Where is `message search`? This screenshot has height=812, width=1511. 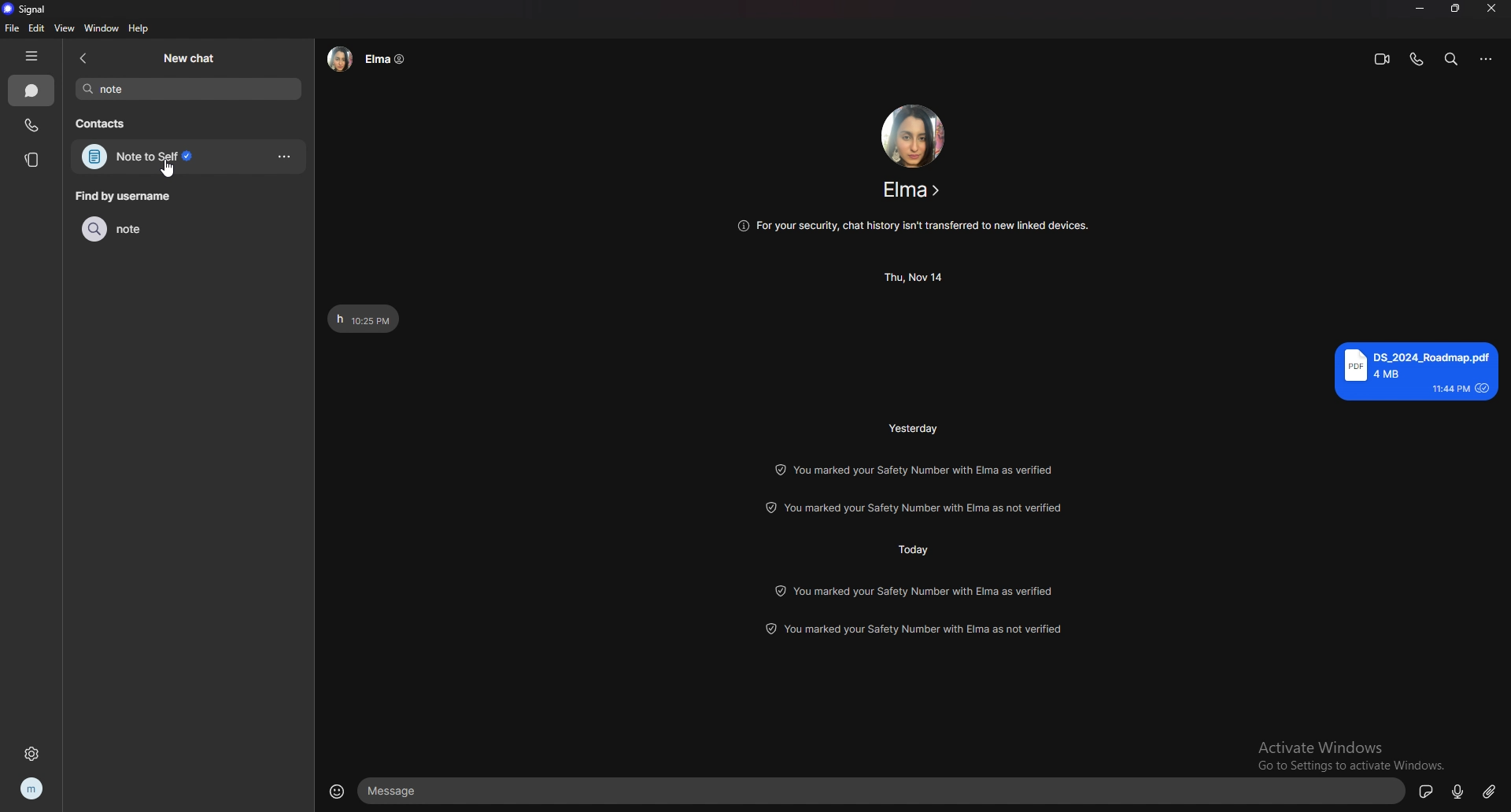
message search is located at coordinates (1451, 58).